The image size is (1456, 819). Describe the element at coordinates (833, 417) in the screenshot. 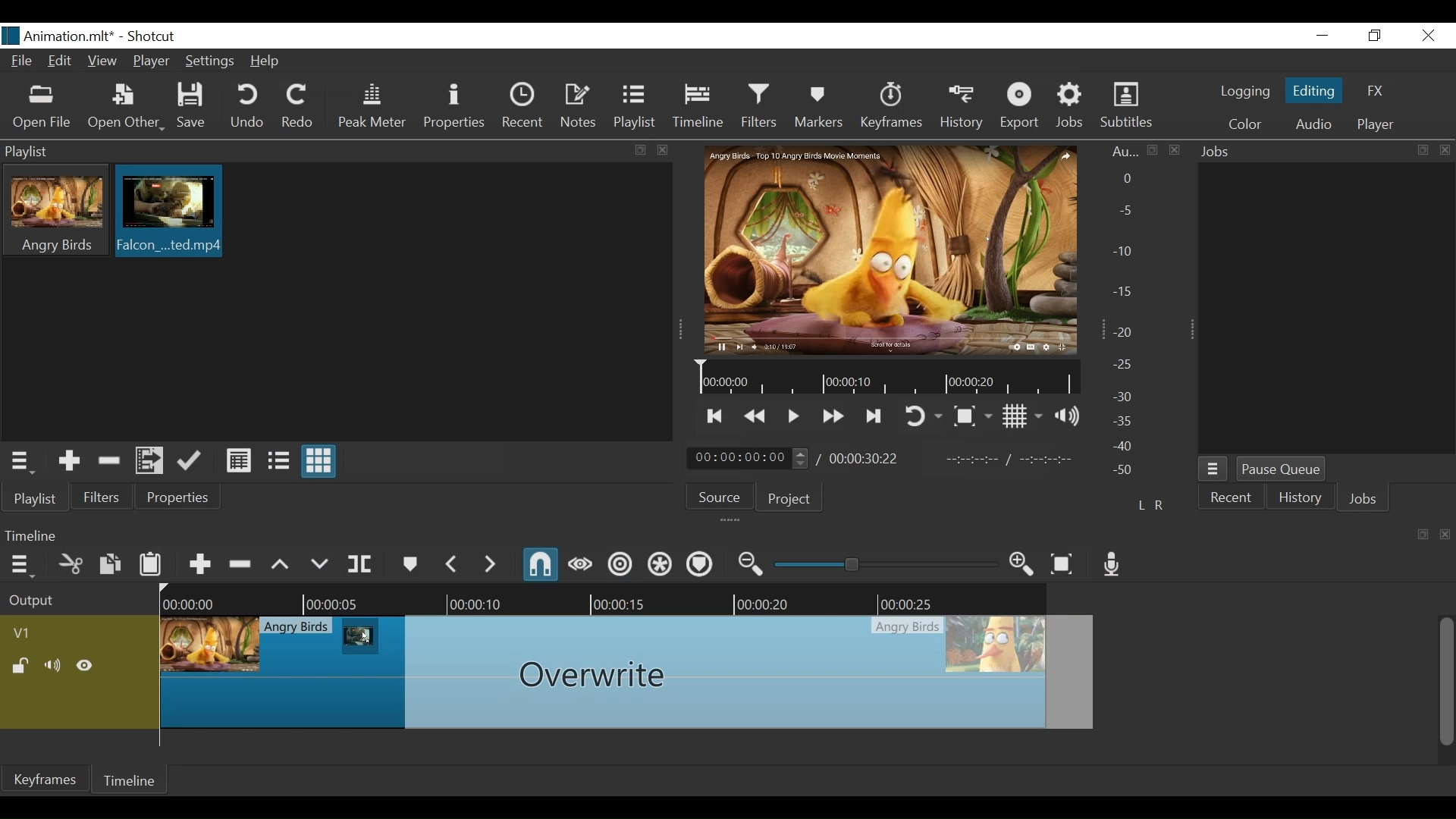

I see `Play forward quickly` at that location.